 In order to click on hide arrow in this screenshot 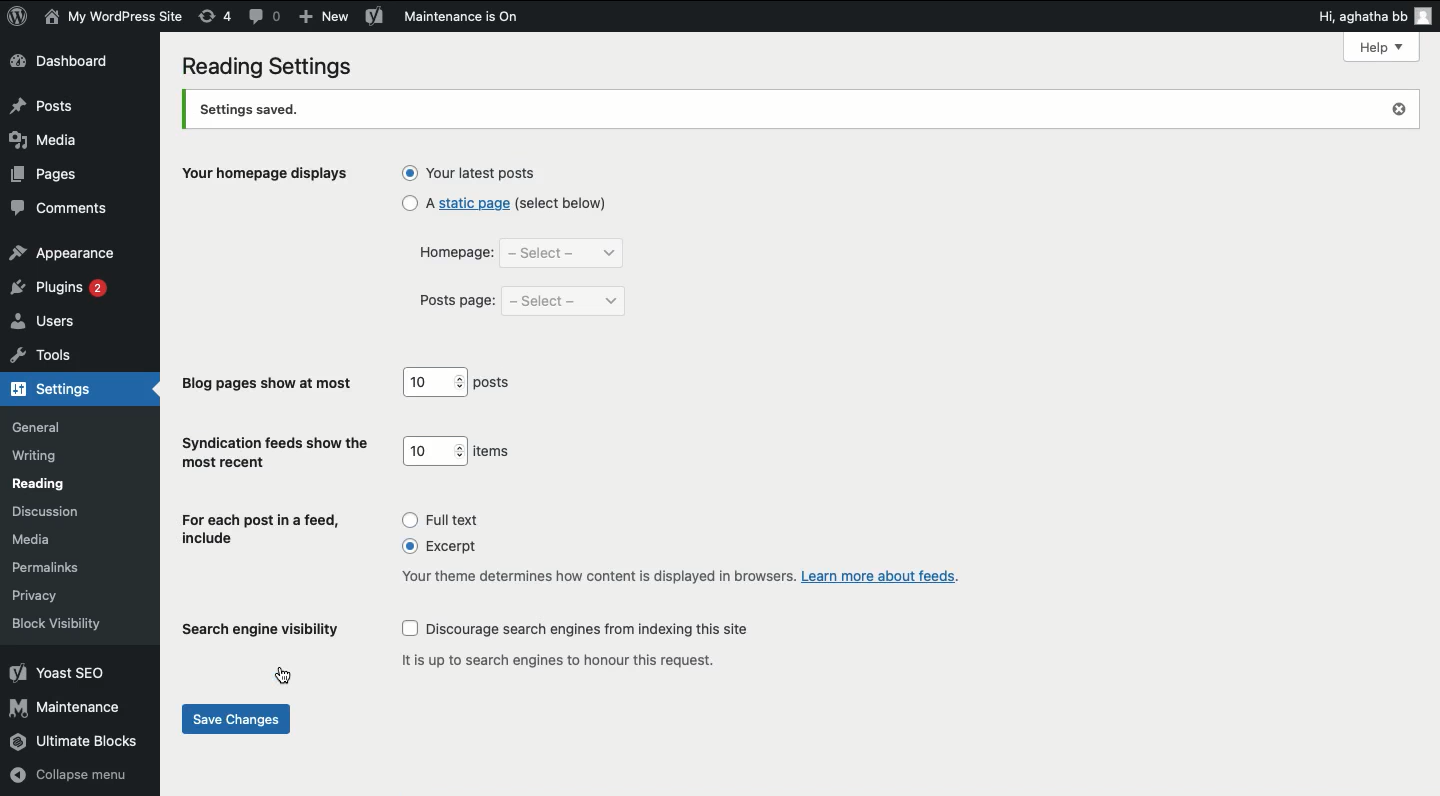, I will do `click(154, 392)`.